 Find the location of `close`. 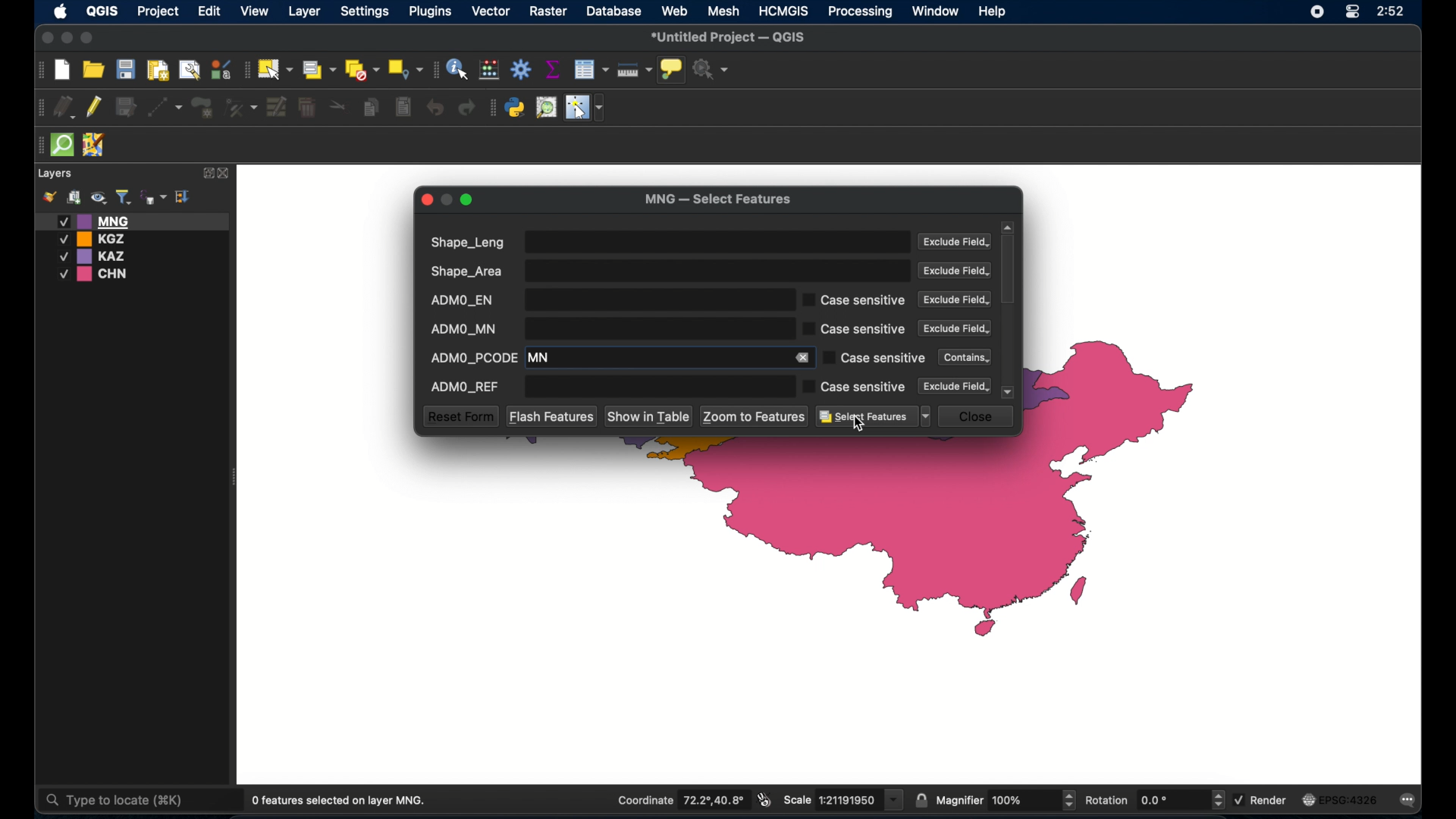

close is located at coordinates (45, 37).